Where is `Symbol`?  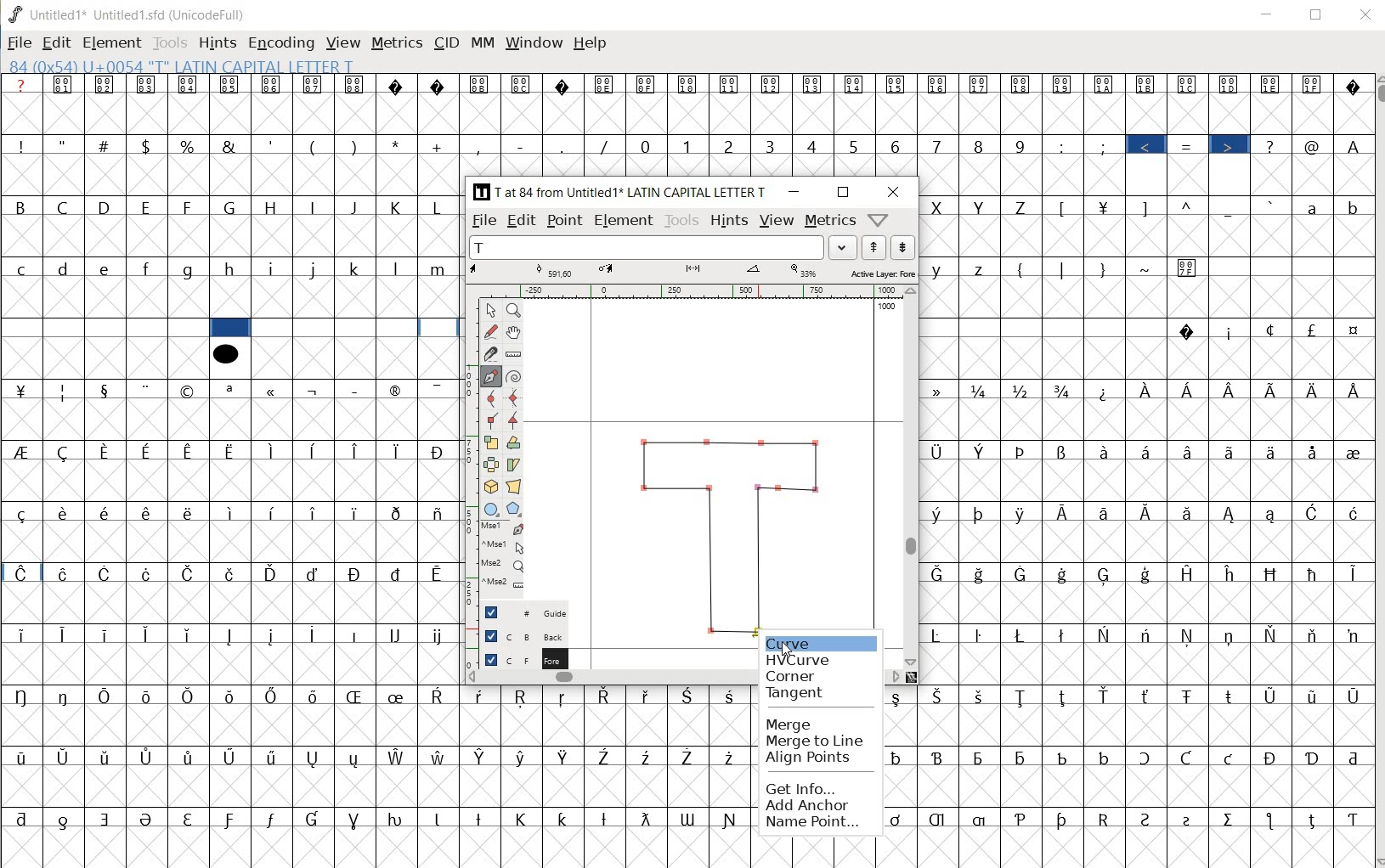 Symbol is located at coordinates (1105, 391).